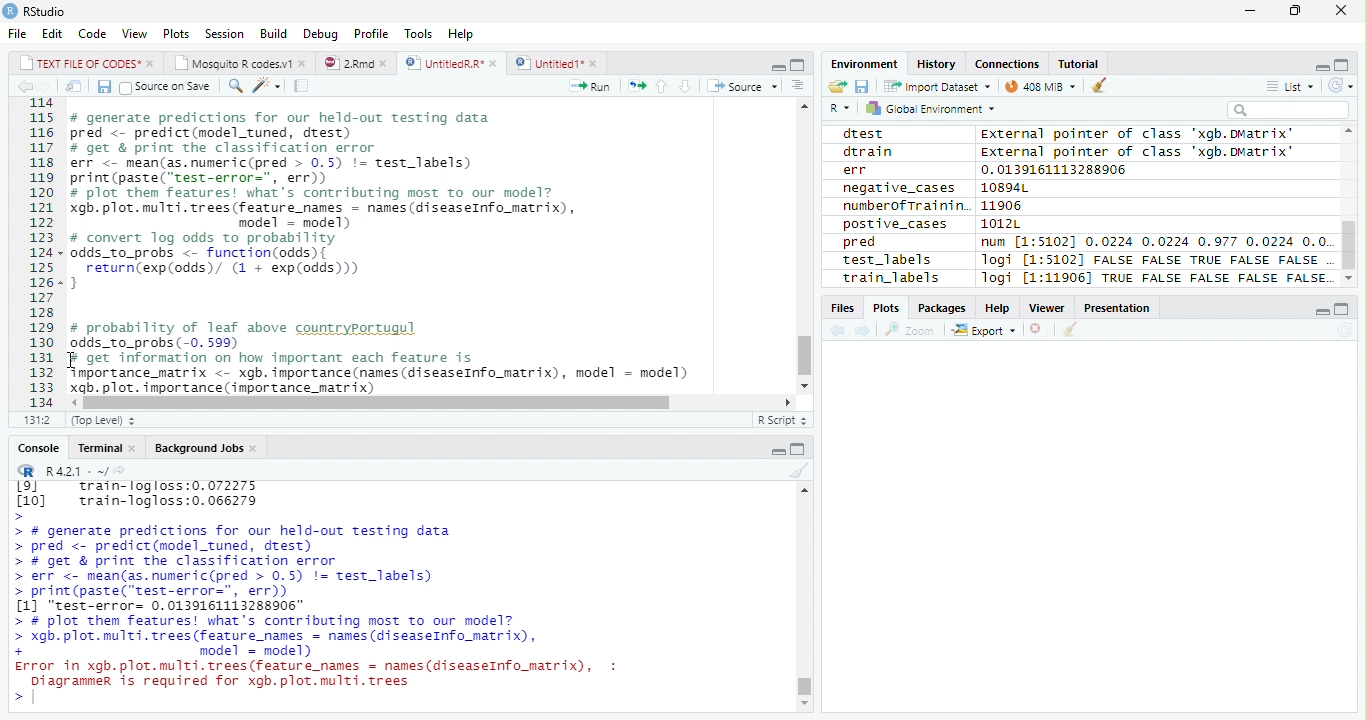 Image resolution: width=1366 pixels, height=720 pixels. Describe the element at coordinates (372, 33) in the screenshot. I see `Profile` at that location.